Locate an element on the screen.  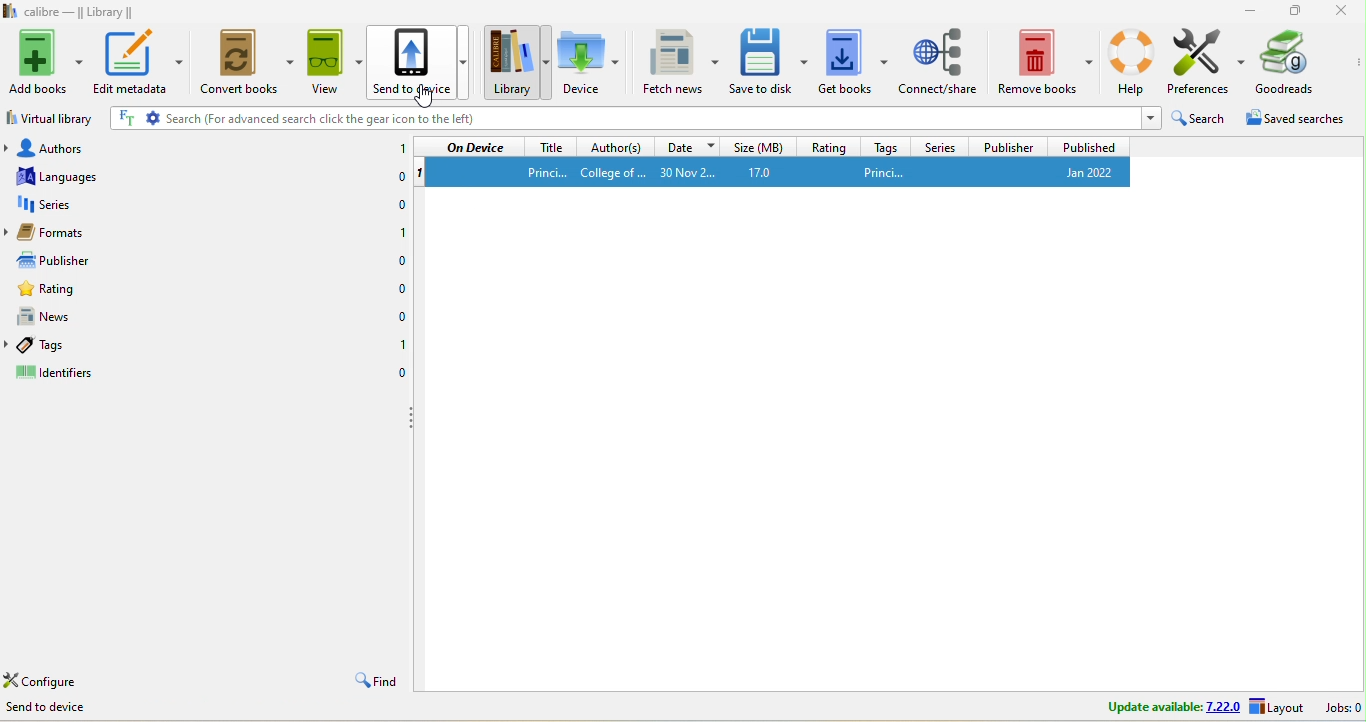
find is located at coordinates (371, 681).